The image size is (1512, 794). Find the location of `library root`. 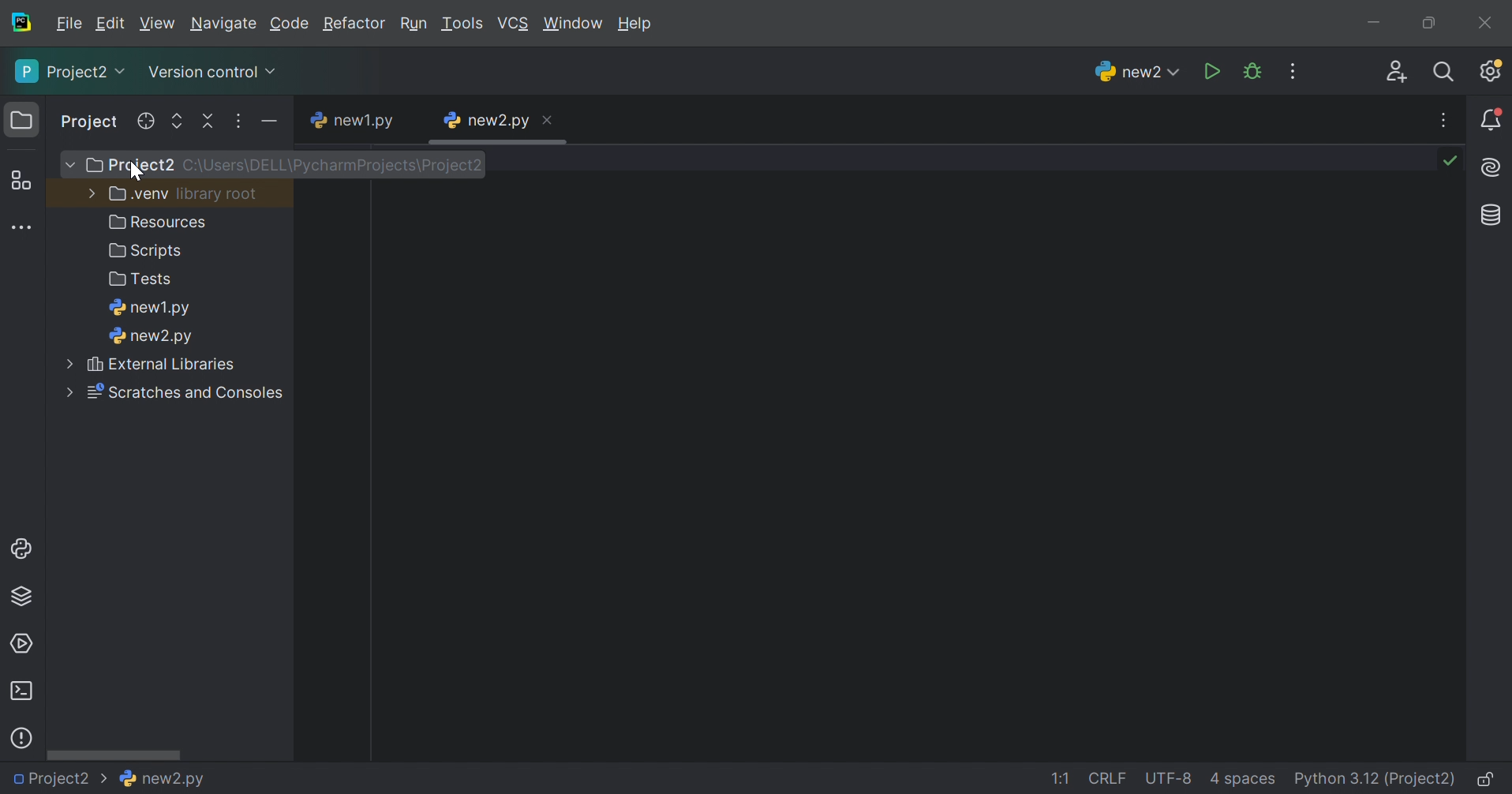

library root is located at coordinates (219, 193).